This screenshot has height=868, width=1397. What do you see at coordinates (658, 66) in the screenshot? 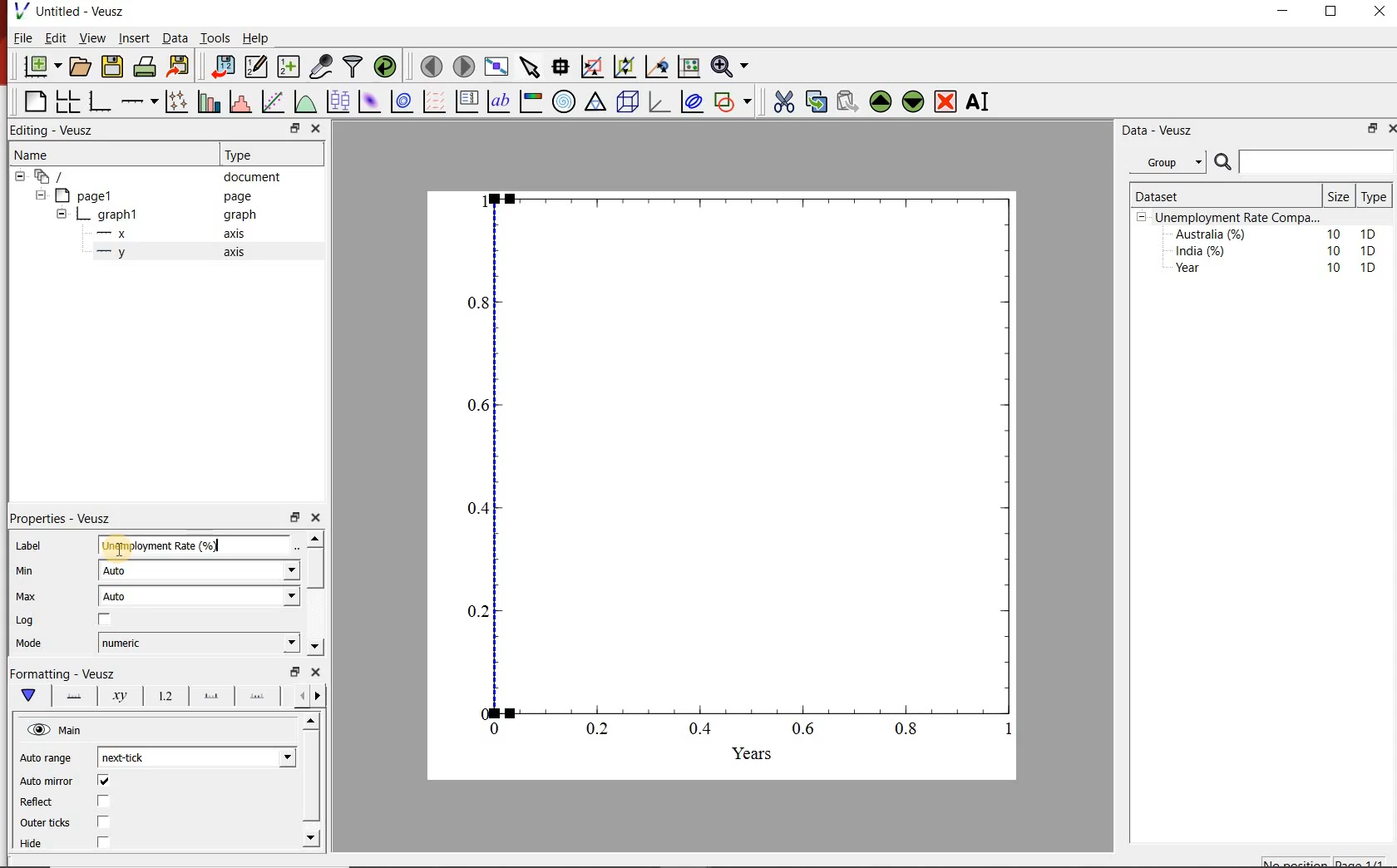
I see `click to recenter graph axes` at bounding box center [658, 66].